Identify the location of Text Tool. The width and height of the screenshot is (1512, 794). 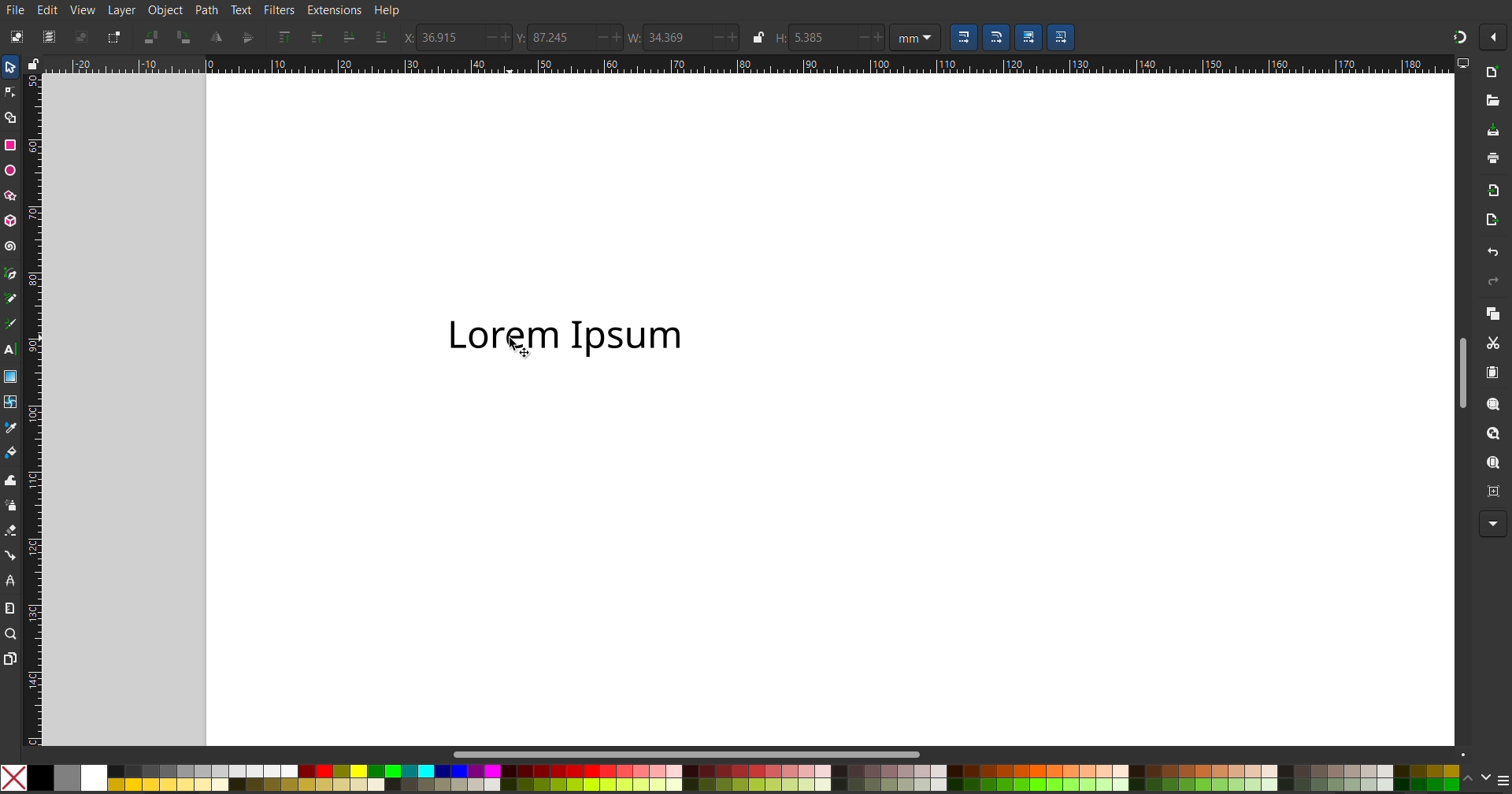
(13, 351).